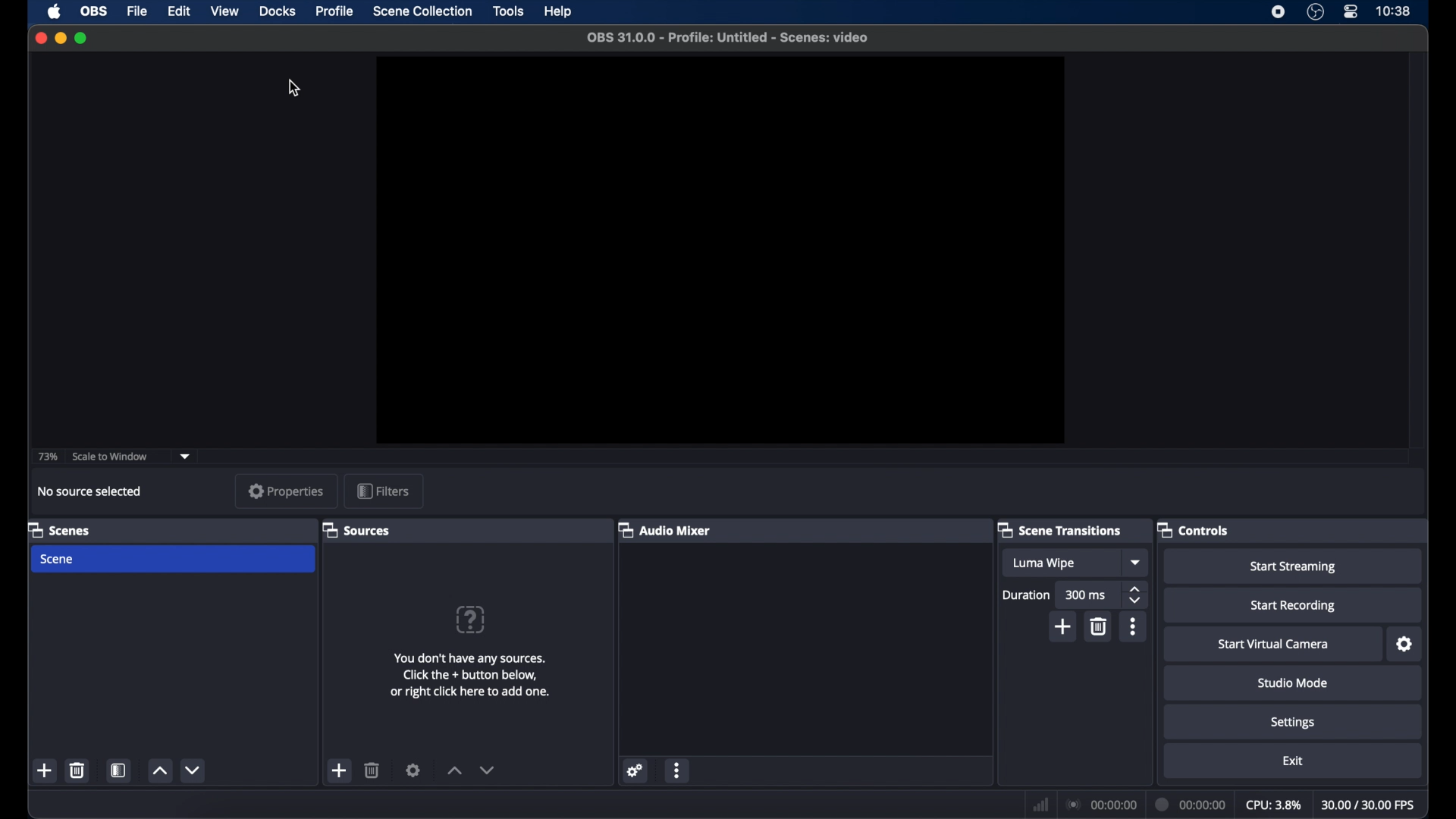 This screenshot has height=819, width=1456. What do you see at coordinates (1137, 595) in the screenshot?
I see `stepper buttons` at bounding box center [1137, 595].